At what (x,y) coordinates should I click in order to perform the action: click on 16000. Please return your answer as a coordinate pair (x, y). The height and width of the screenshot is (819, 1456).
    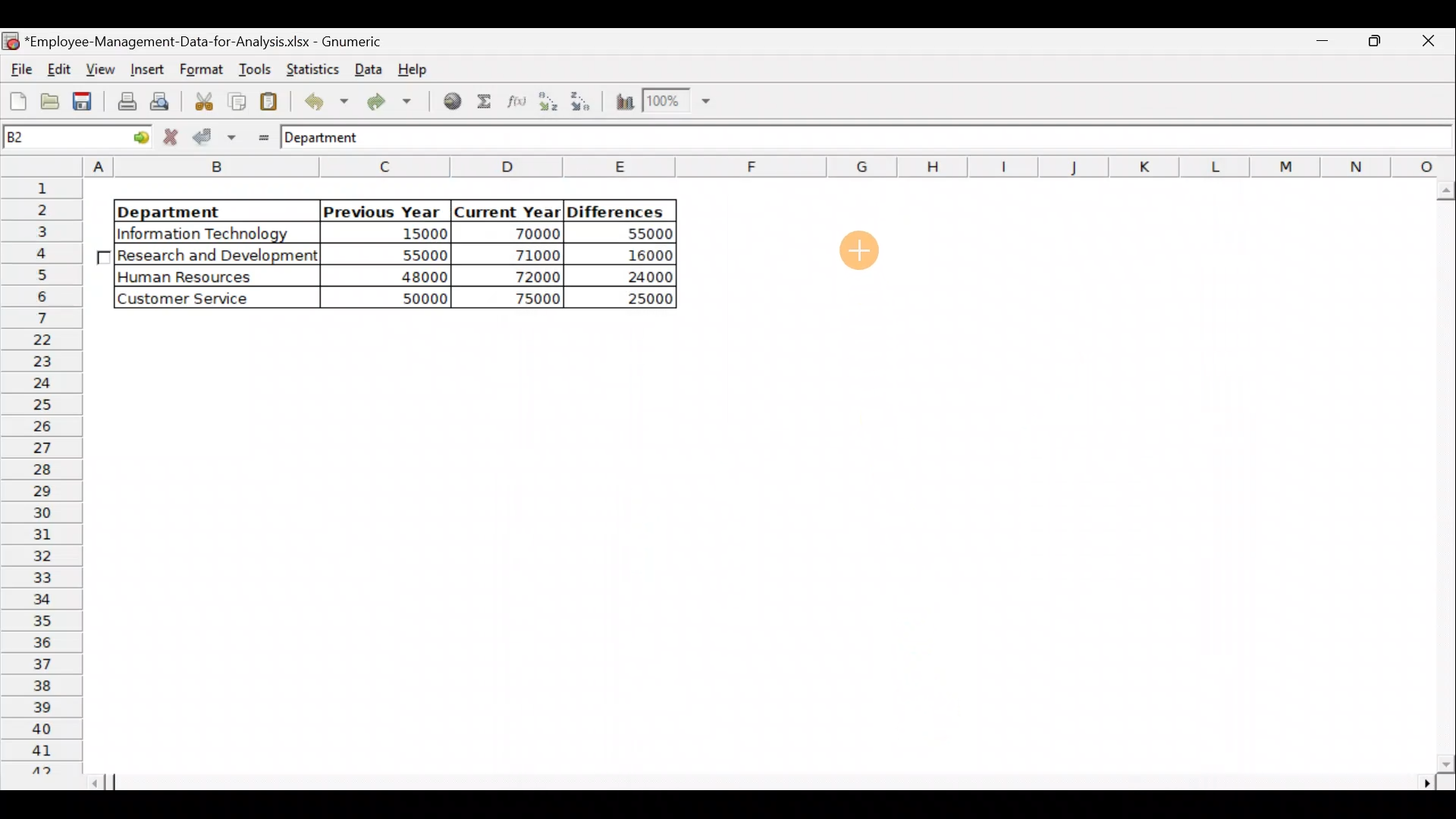
    Looking at the image, I should click on (638, 256).